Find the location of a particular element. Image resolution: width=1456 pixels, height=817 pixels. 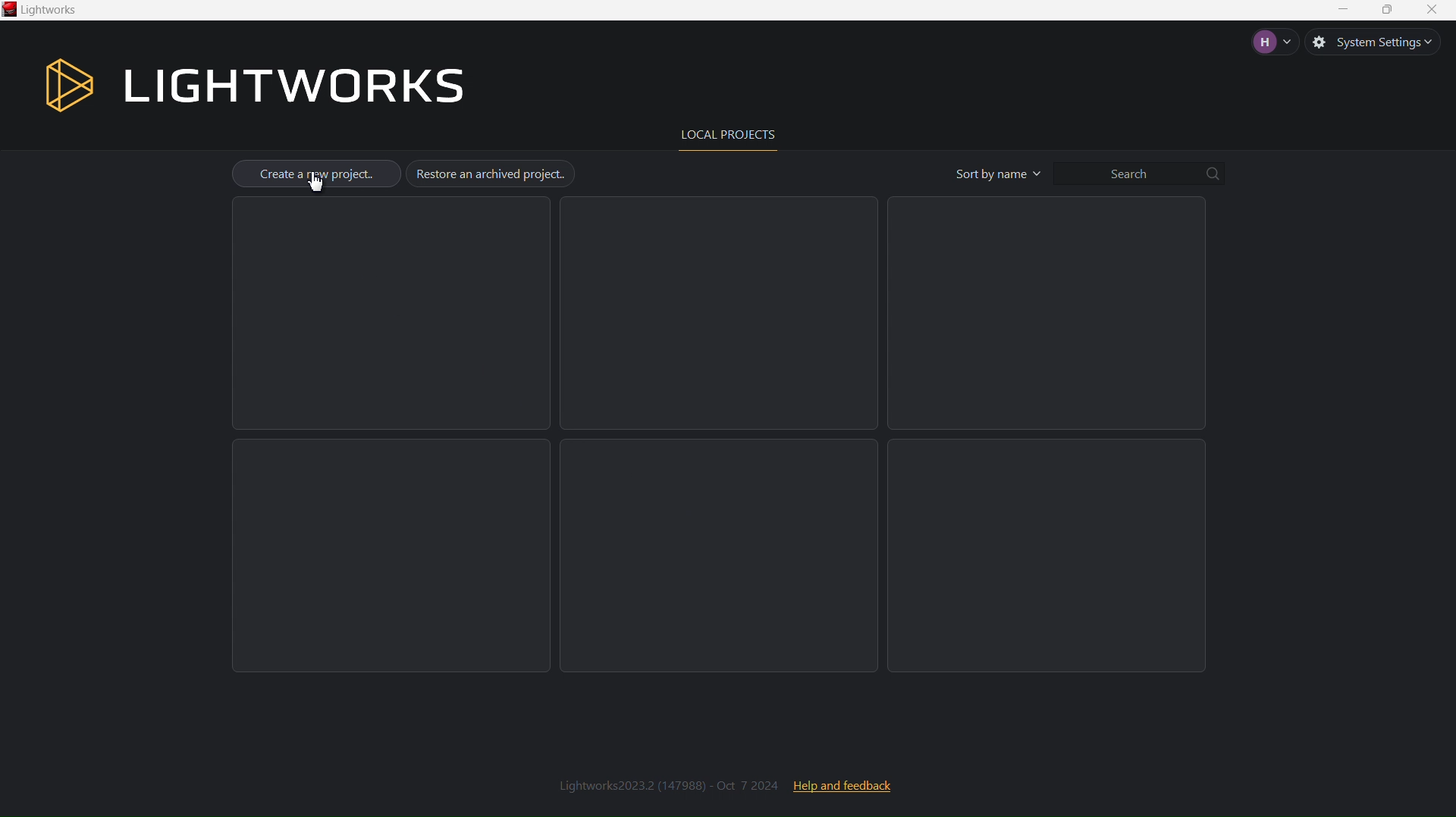

Minimize is located at coordinates (1337, 11).